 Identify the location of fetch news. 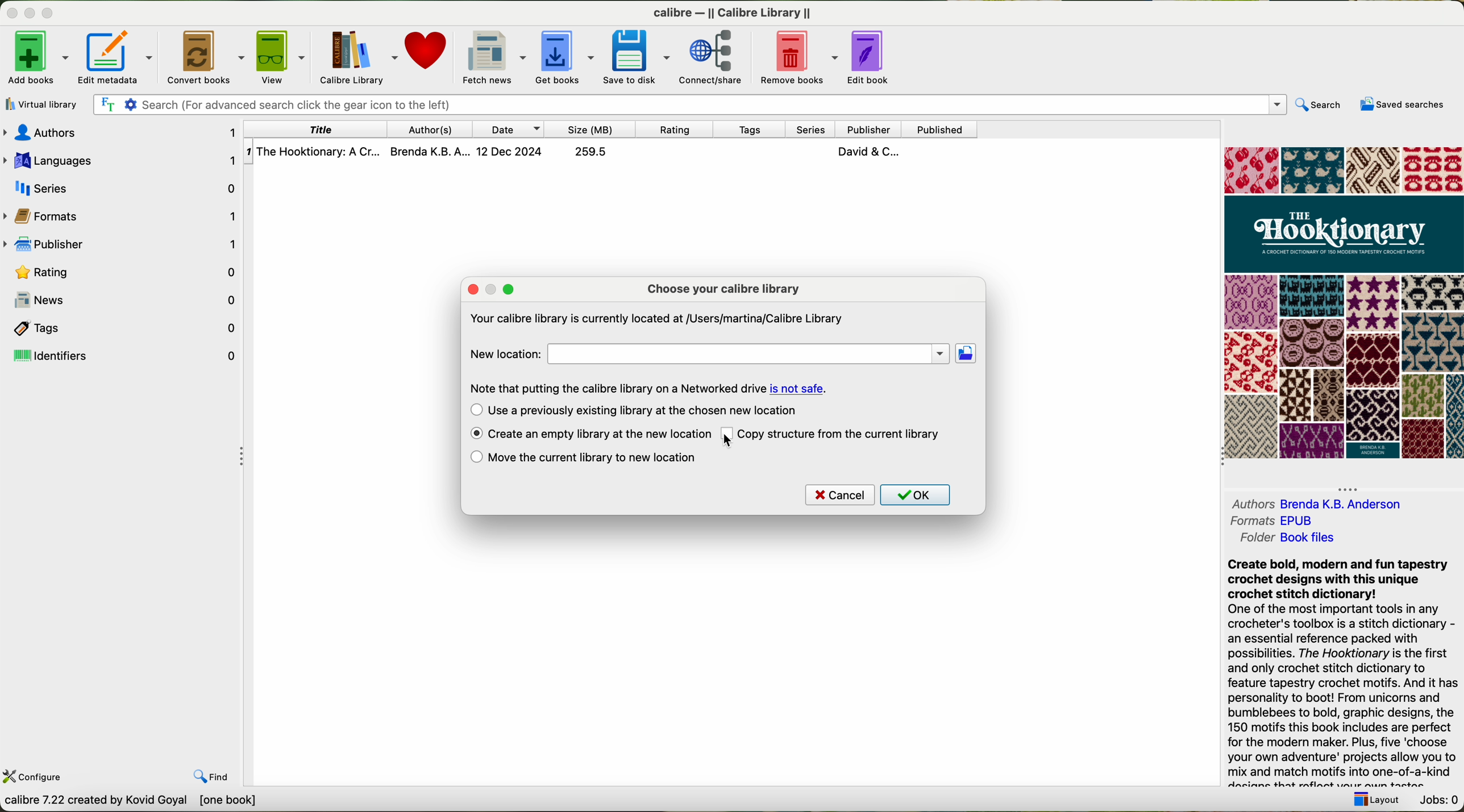
(495, 58).